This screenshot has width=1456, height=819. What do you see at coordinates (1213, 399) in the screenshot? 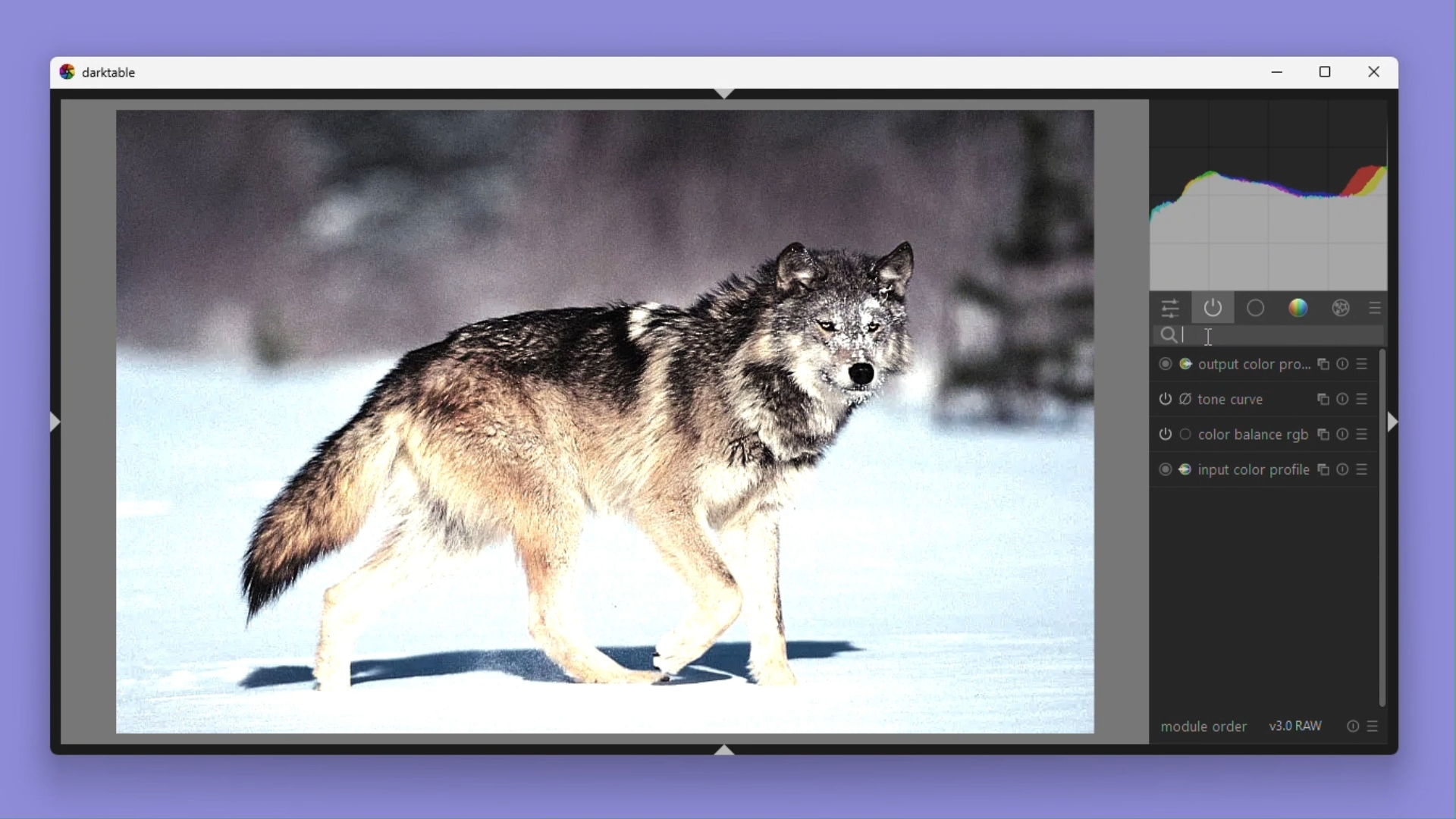
I see `tone curve` at bounding box center [1213, 399].